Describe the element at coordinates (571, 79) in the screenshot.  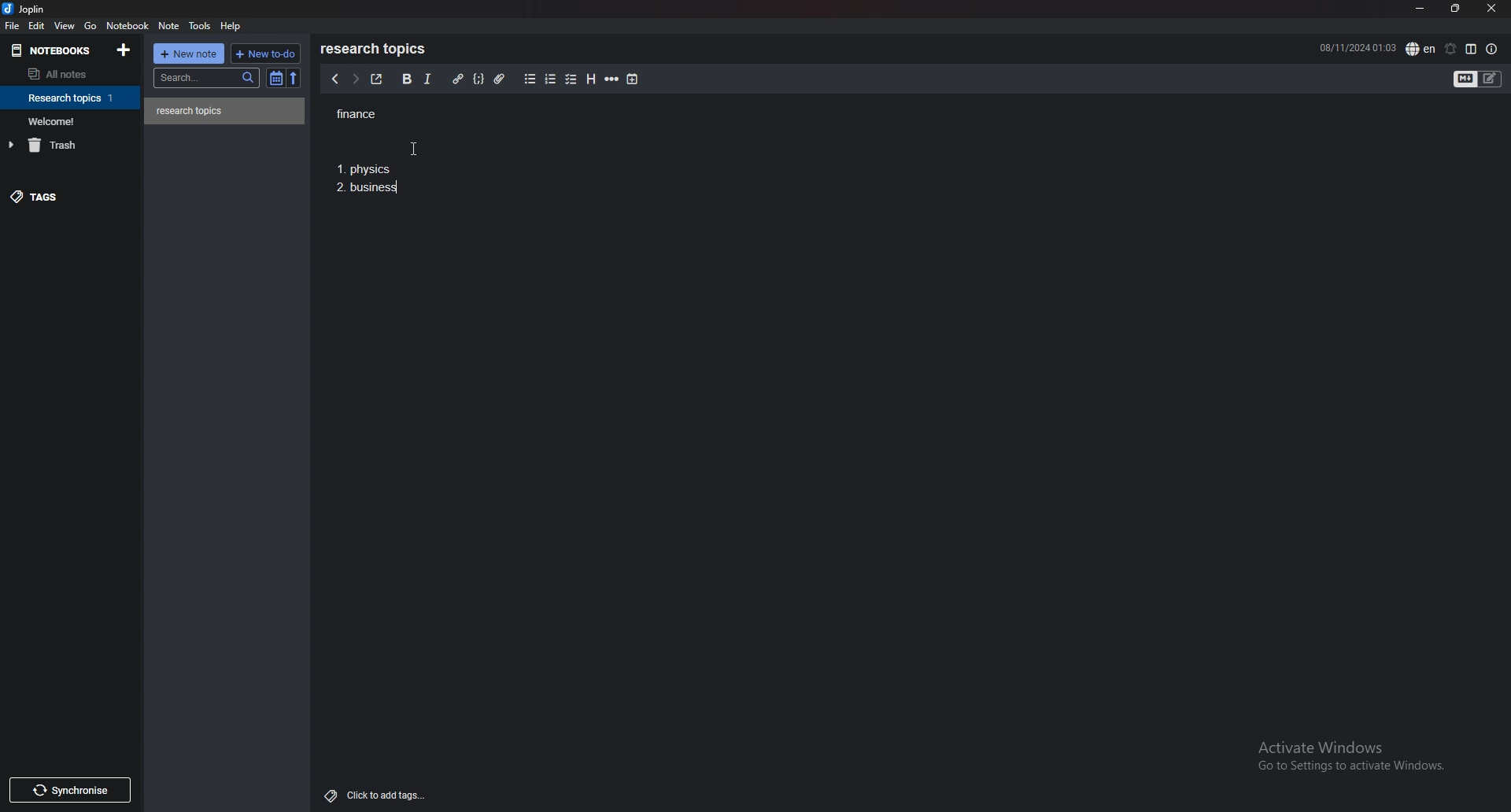
I see `checkbox` at that location.